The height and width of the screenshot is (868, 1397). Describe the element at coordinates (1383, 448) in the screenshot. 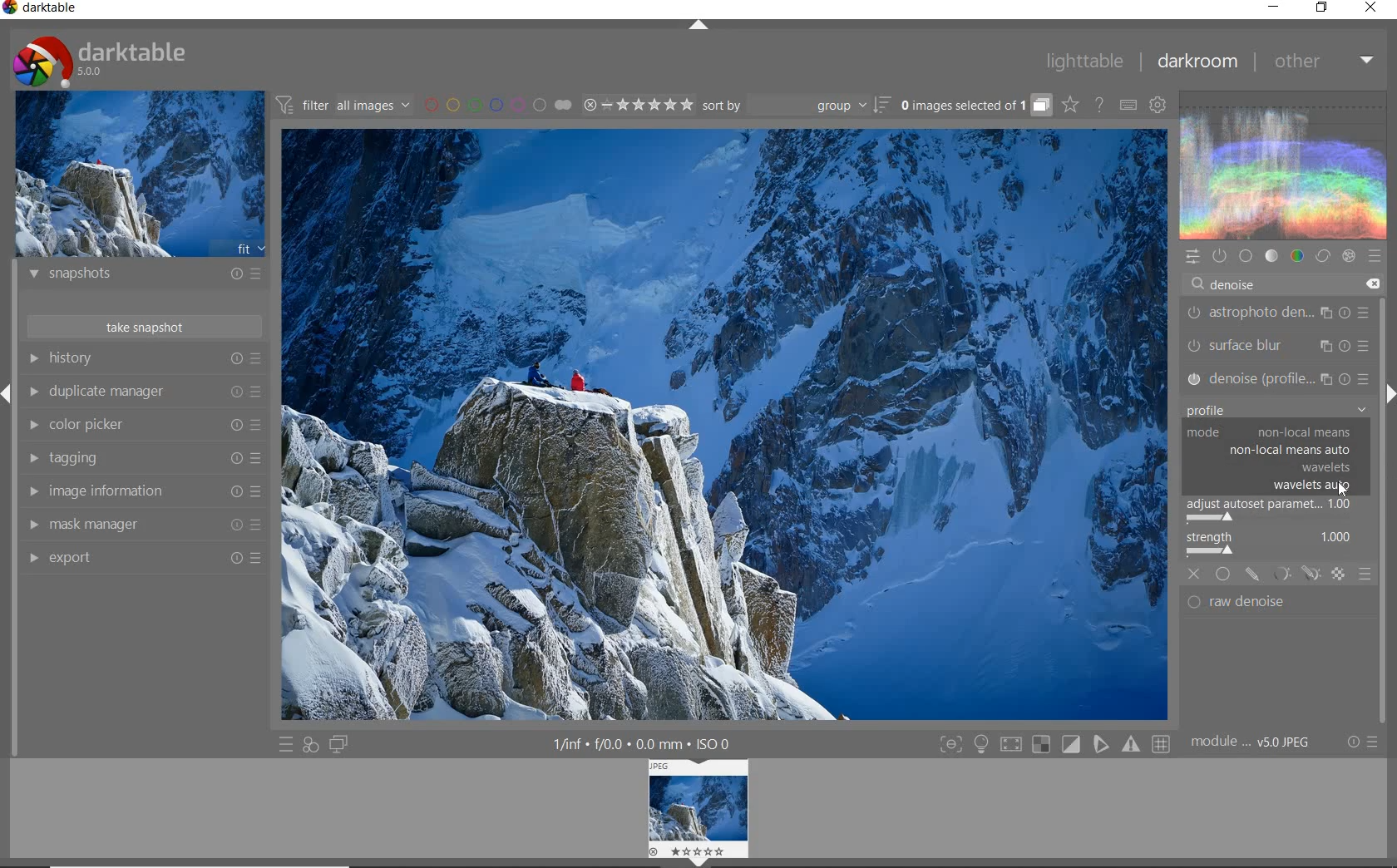

I see `scrollbar` at that location.